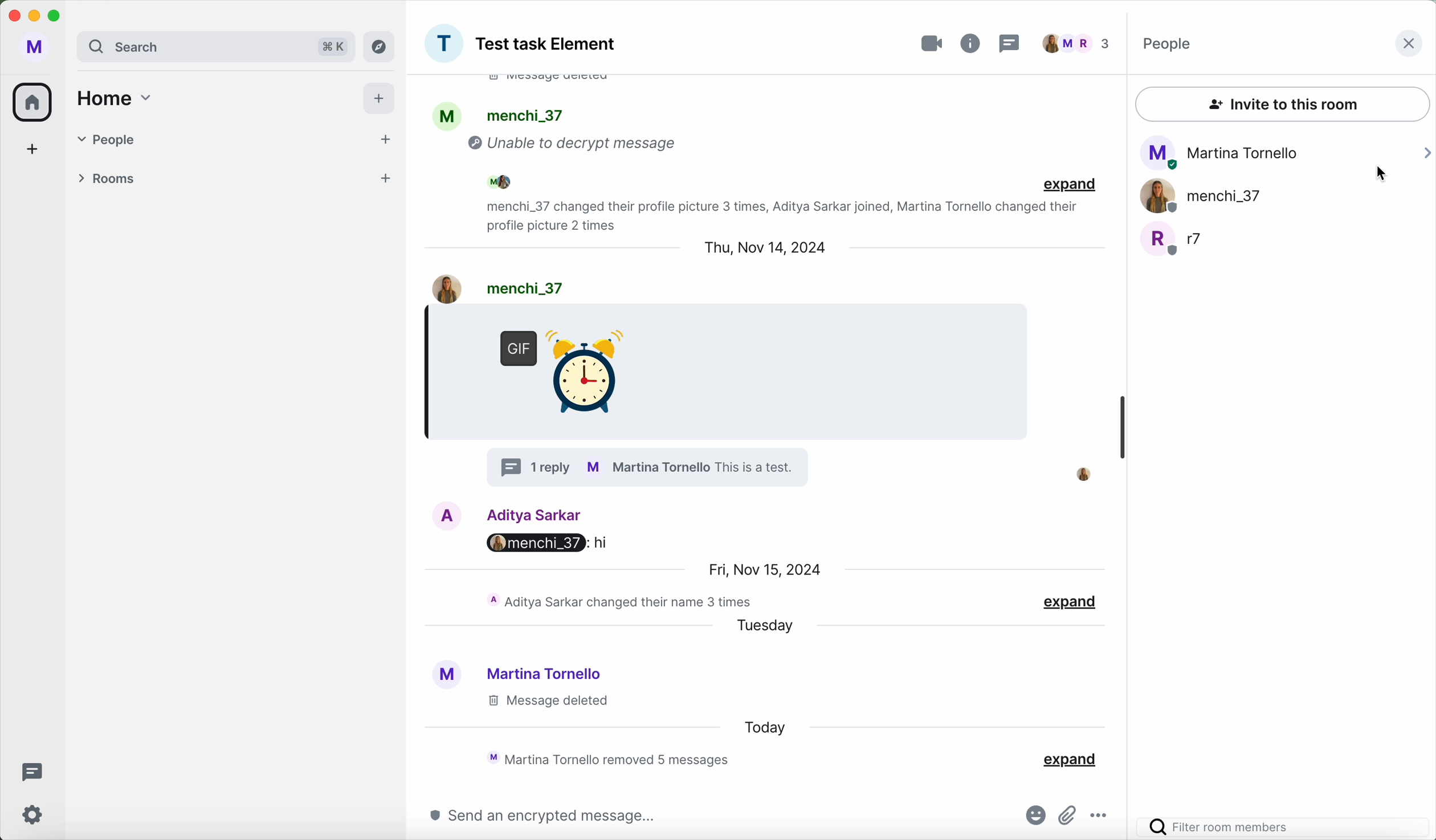 This screenshot has height=840, width=1436. I want to click on people, so click(525, 115).